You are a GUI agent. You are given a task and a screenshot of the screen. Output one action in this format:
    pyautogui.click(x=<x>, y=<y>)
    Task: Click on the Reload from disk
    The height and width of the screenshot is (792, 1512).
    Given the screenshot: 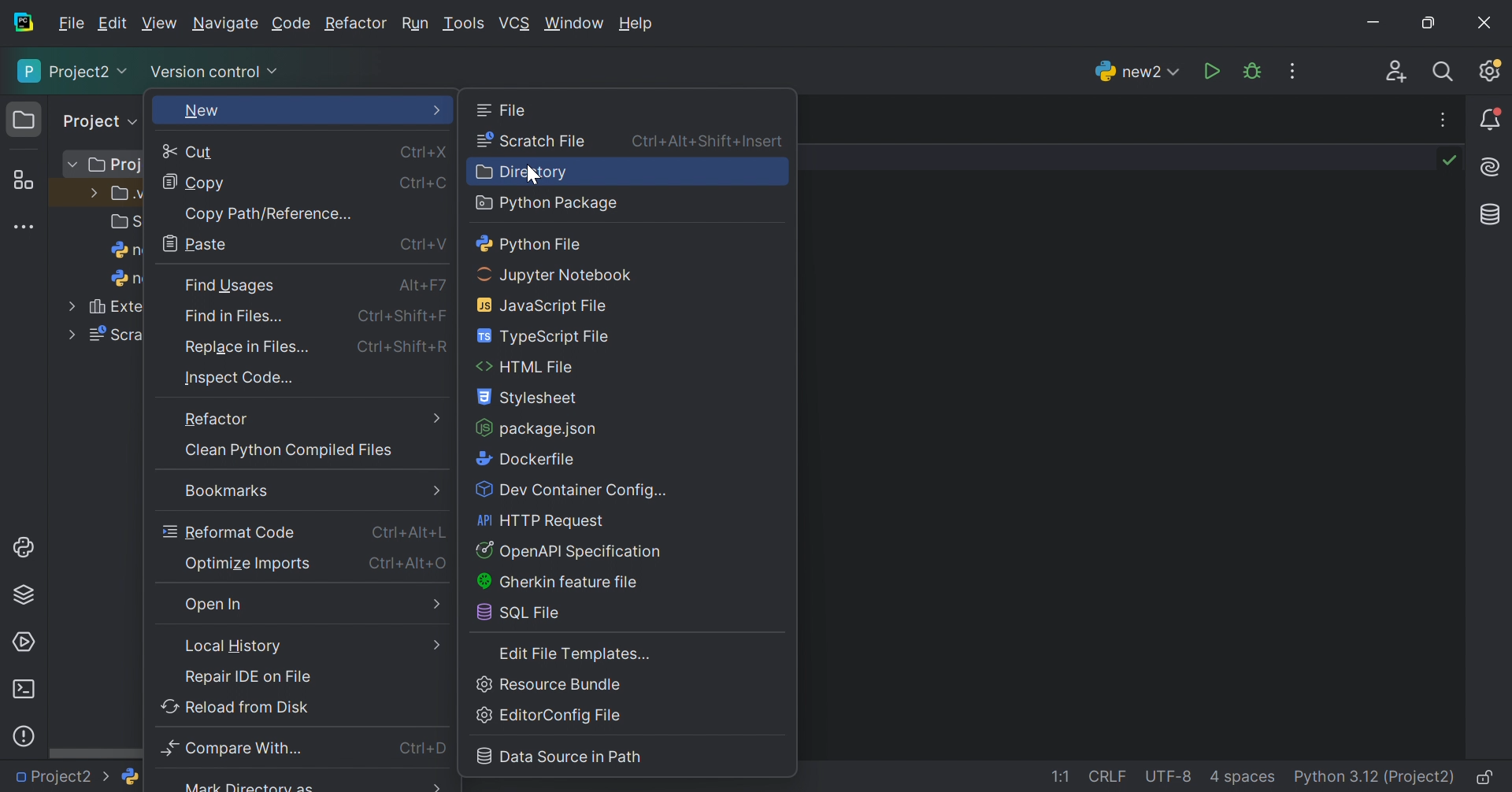 What is the action you would take?
    pyautogui.click(x=239, y=706)
    